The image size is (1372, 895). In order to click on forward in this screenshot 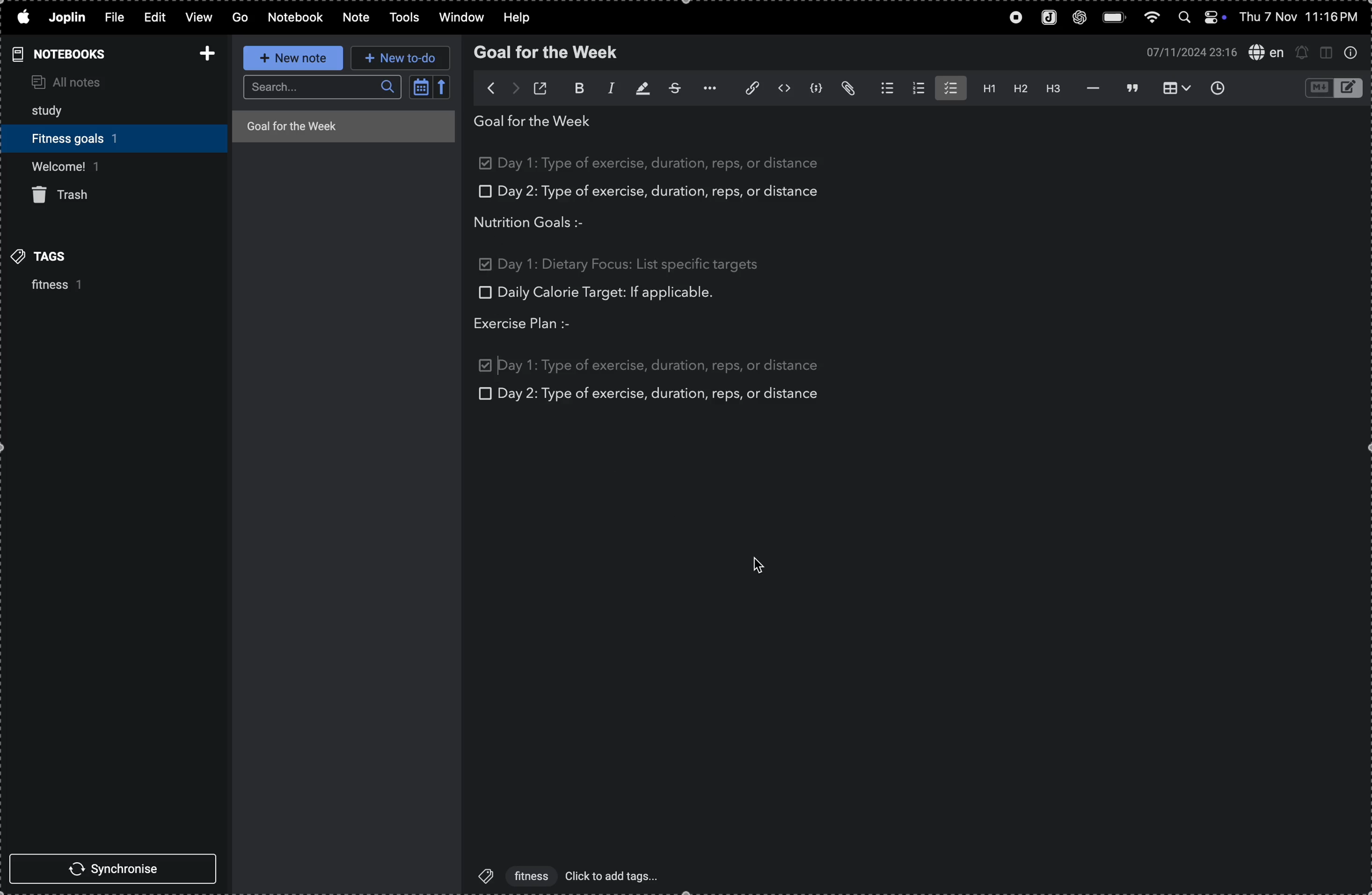, I will do `click(515, 86)`.